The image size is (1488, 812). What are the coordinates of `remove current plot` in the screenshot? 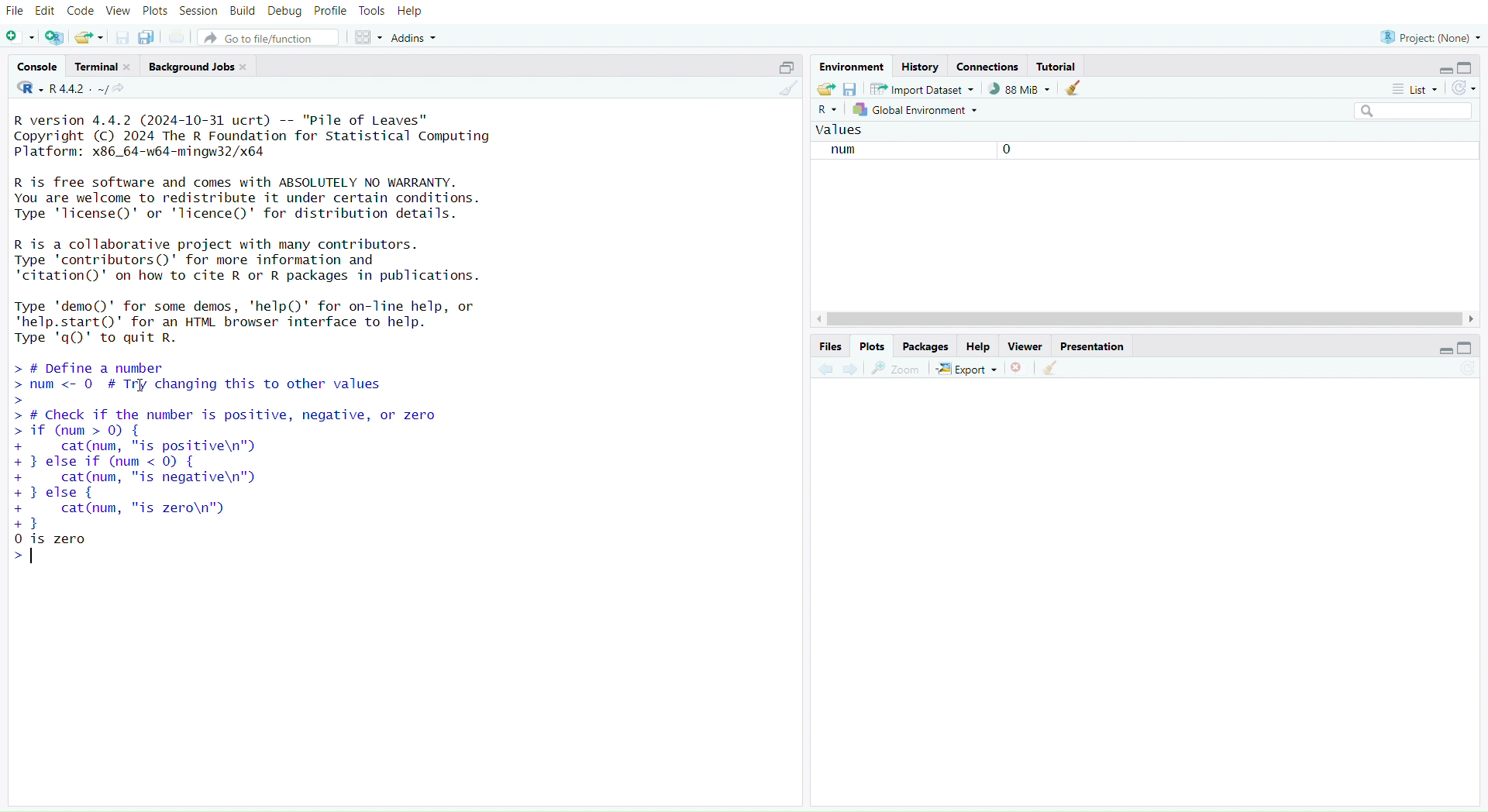 It's located at (1018, 369).